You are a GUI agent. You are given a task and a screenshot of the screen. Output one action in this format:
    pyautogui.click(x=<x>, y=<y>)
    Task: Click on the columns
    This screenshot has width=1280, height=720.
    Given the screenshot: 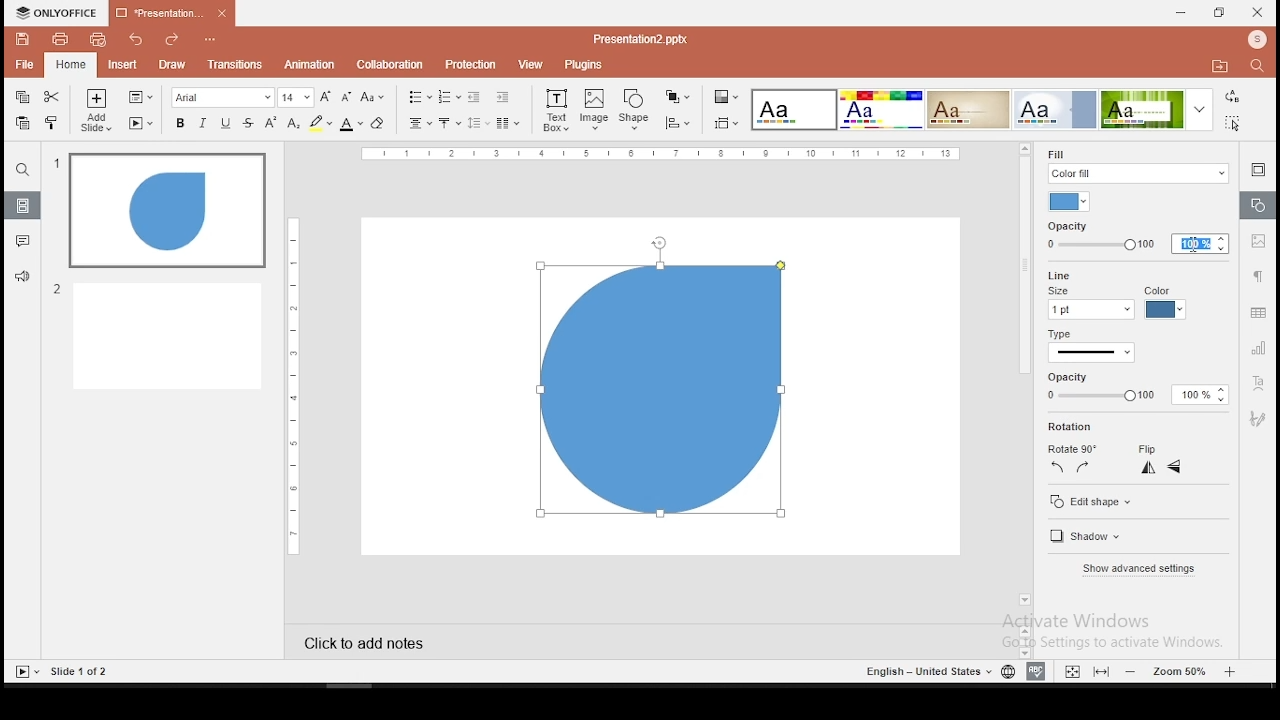 What is the action you would take?
    pyautogui.click(x=504, y=123)
    